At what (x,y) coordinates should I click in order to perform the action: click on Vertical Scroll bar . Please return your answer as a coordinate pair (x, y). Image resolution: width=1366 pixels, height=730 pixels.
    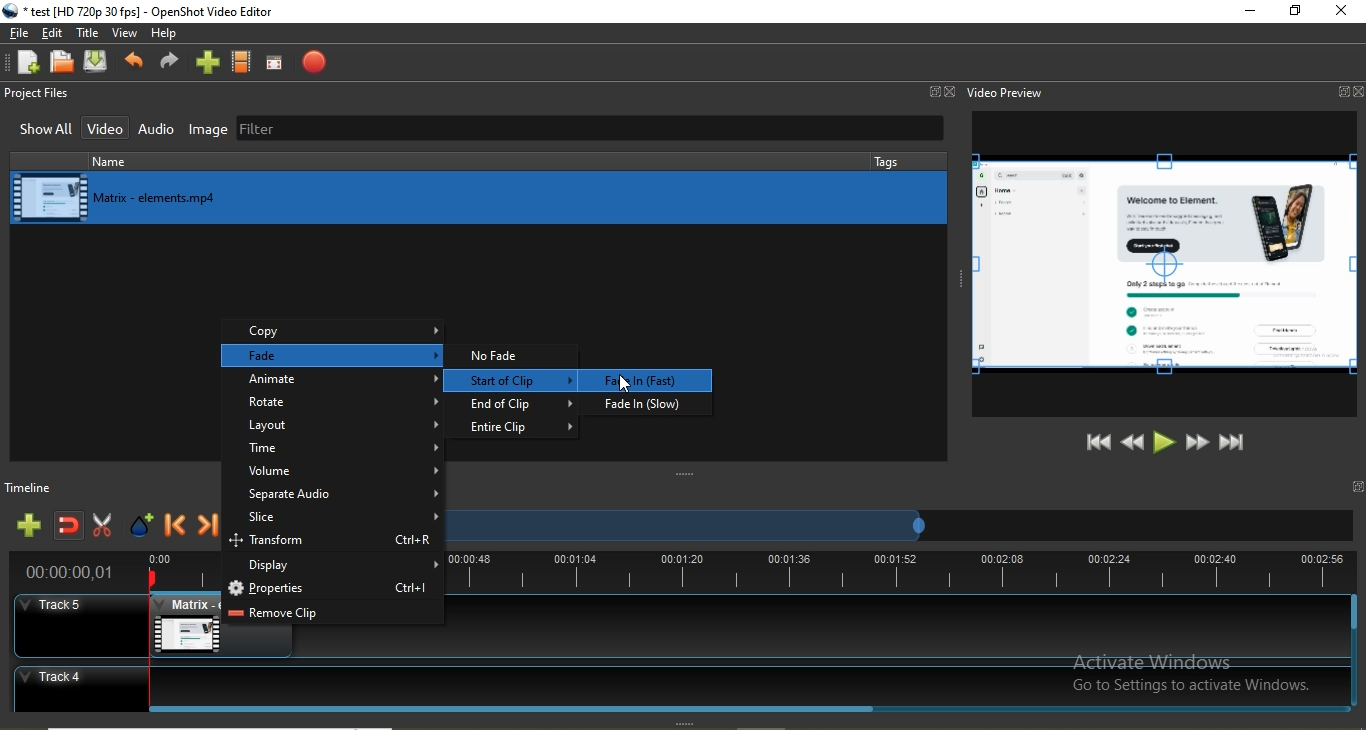
    Looking at the image, I should click on (1357, 652).